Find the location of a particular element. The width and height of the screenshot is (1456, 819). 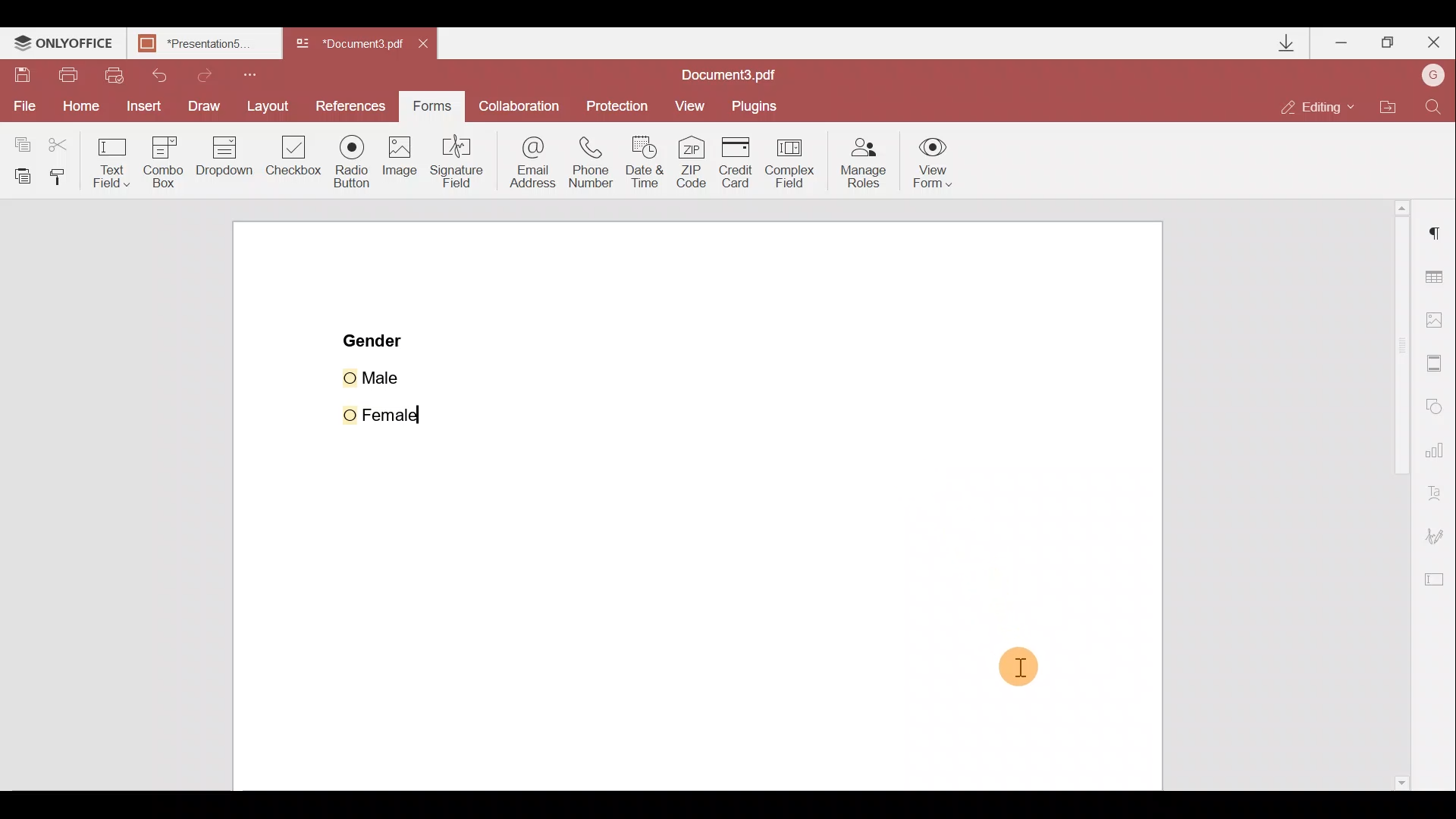

Cursor is located at coordinates (1018, 669).